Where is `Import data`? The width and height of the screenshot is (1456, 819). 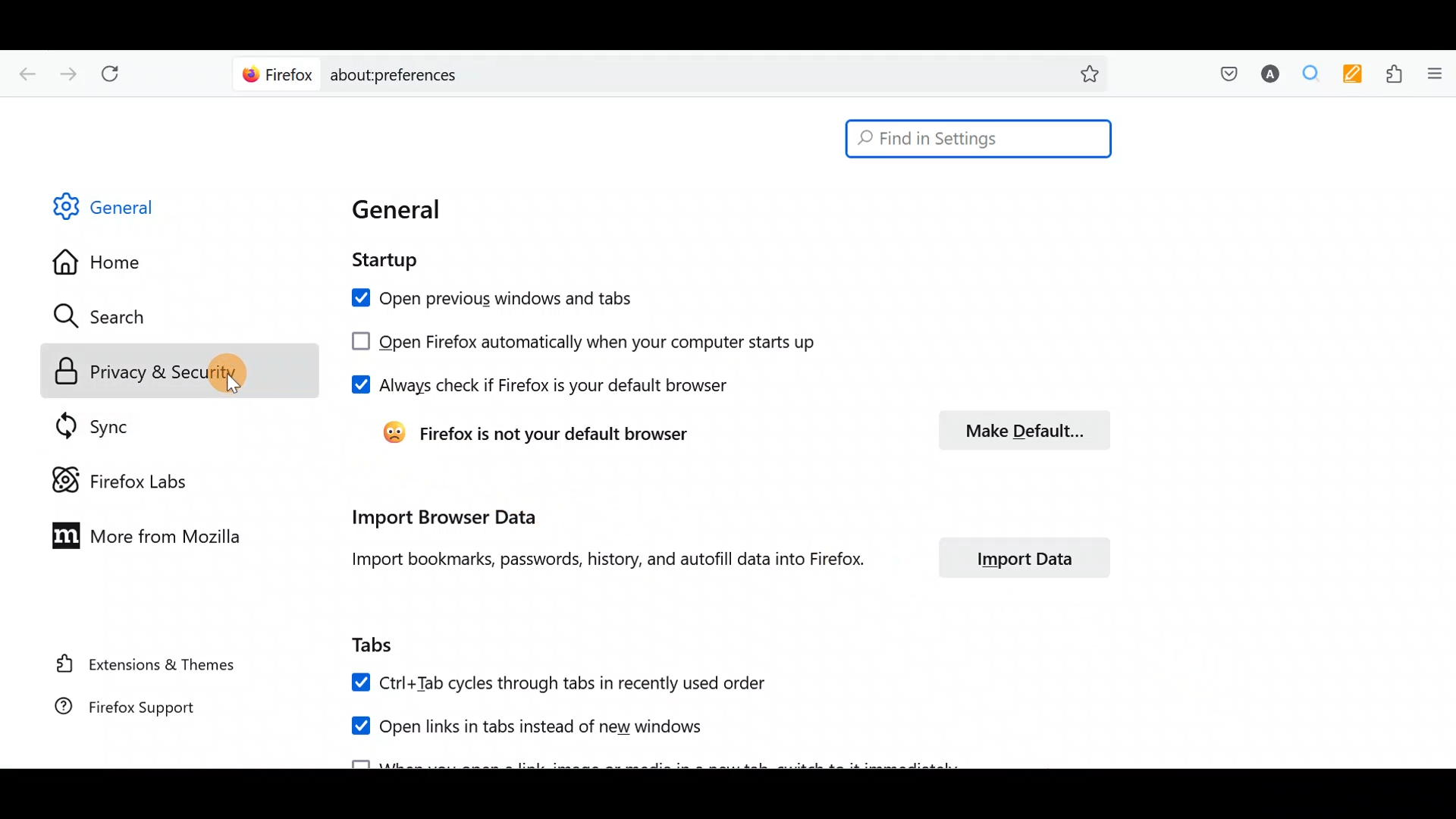
Import data is located at coordinates (1022, 560).